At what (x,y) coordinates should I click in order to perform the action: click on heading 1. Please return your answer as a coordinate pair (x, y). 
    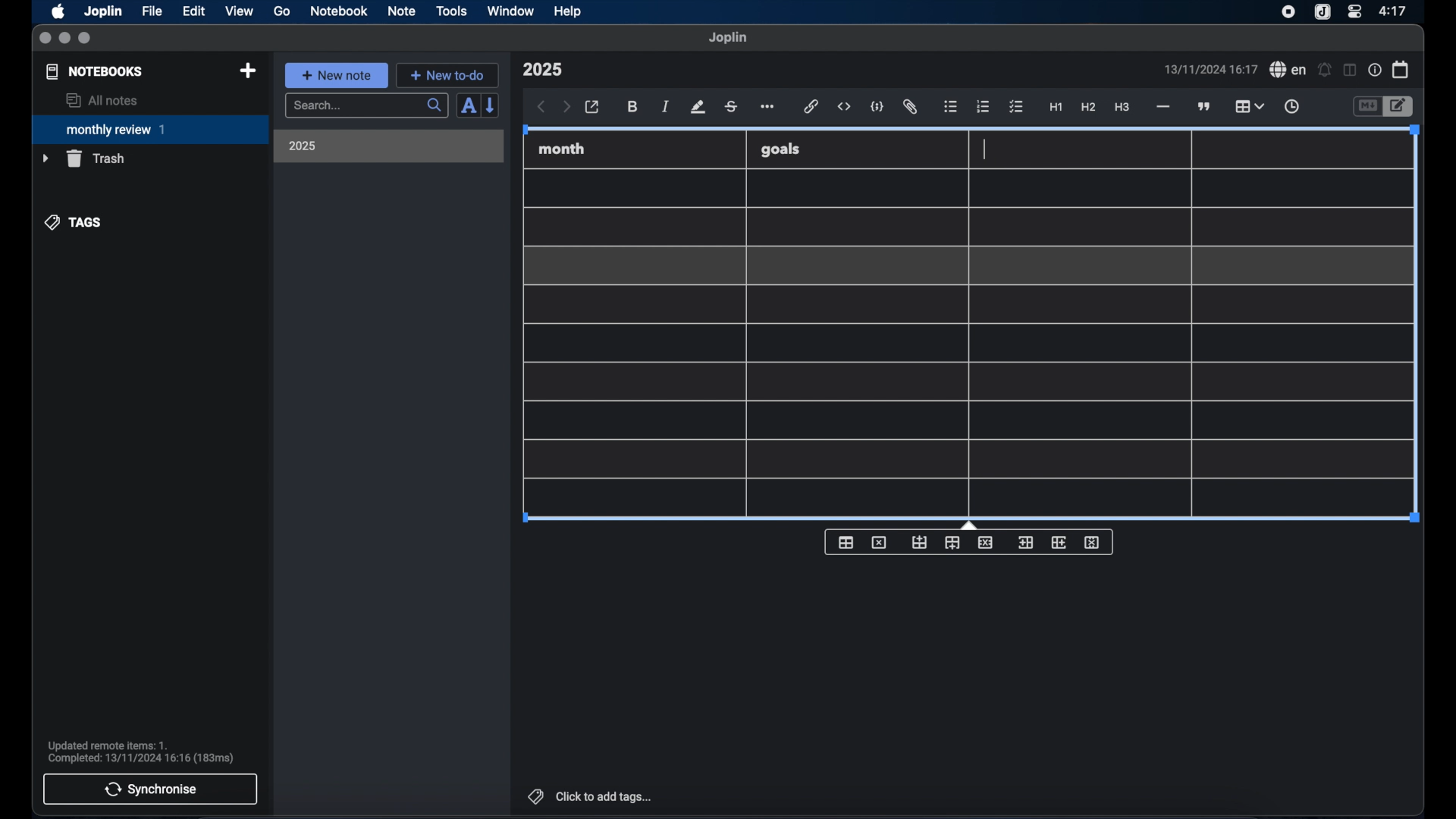
    Looking at the image, I should click on (1056, 108).